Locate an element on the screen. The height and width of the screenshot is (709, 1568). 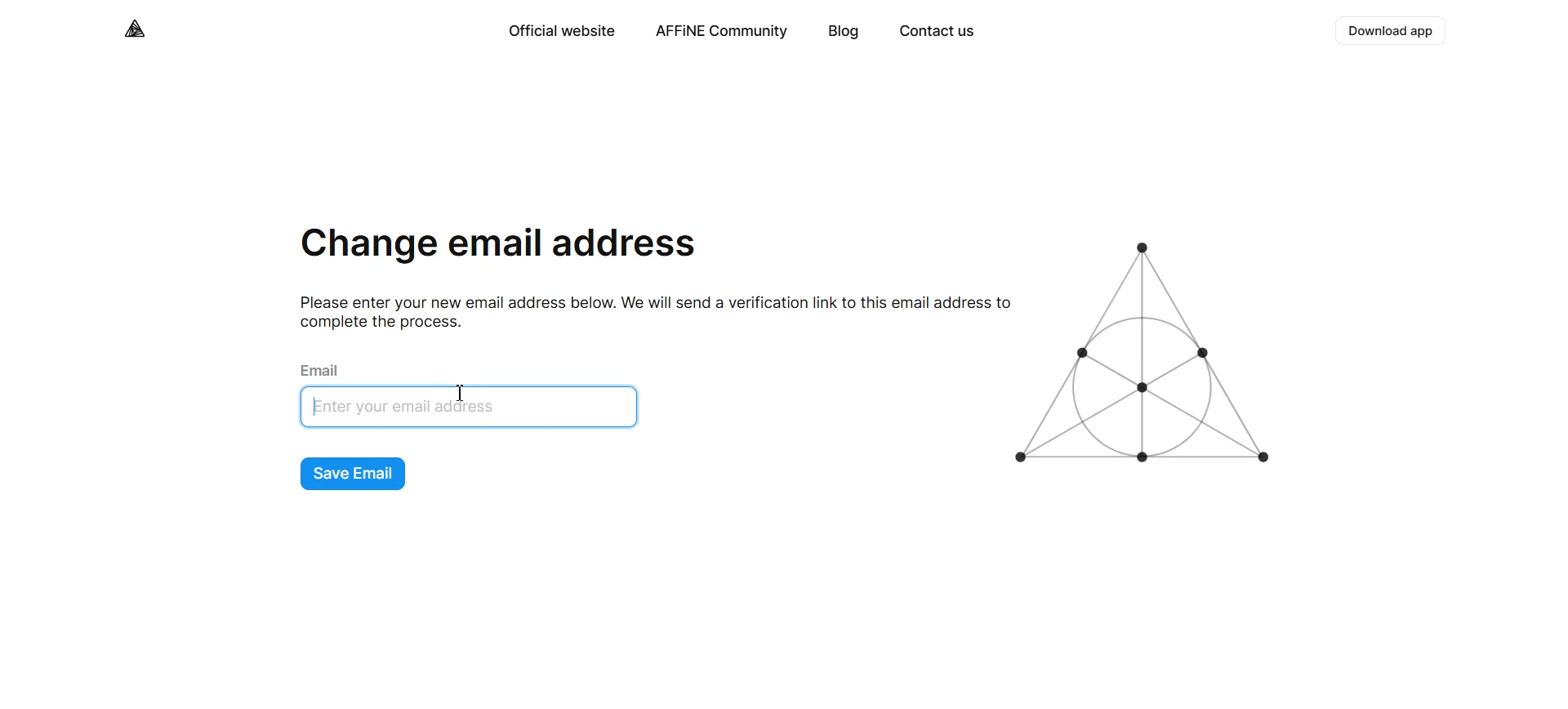
Logo is located at coordinates (136, 29).